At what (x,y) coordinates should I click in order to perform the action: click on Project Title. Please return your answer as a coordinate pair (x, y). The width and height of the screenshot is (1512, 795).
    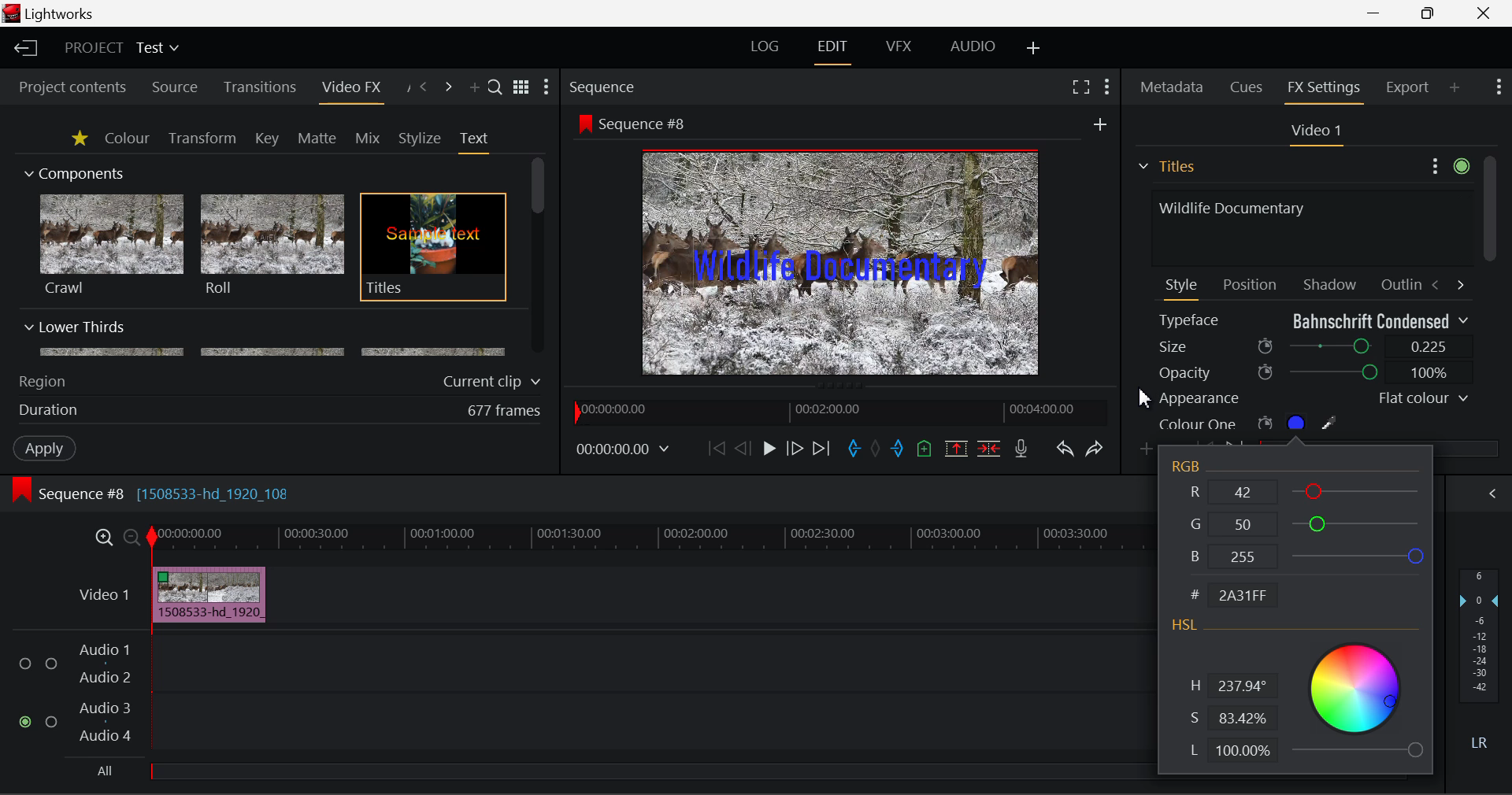
    Looking at the image, I should click on (123, 46).